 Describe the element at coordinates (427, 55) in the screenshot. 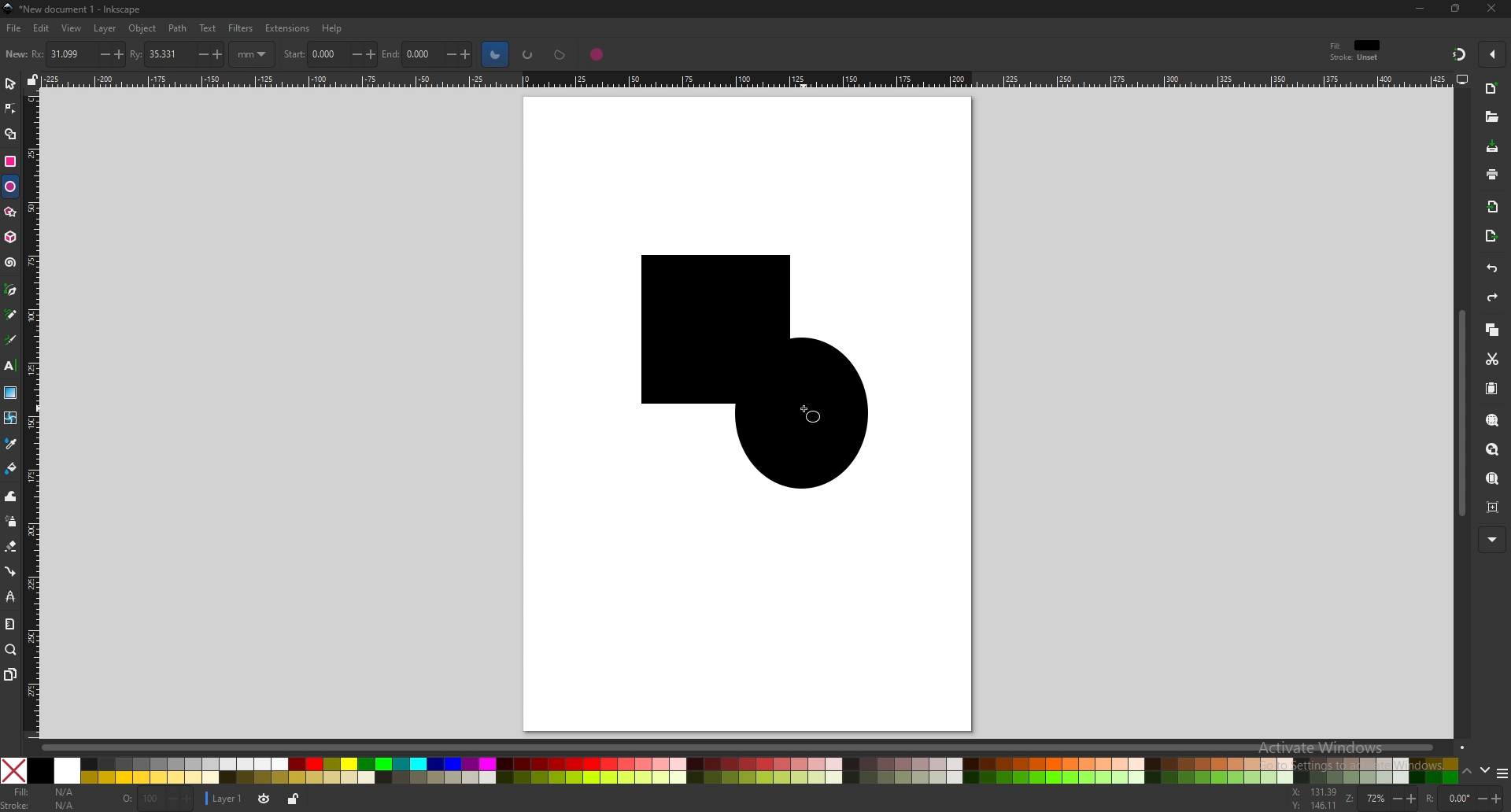

I see `end` at that location.